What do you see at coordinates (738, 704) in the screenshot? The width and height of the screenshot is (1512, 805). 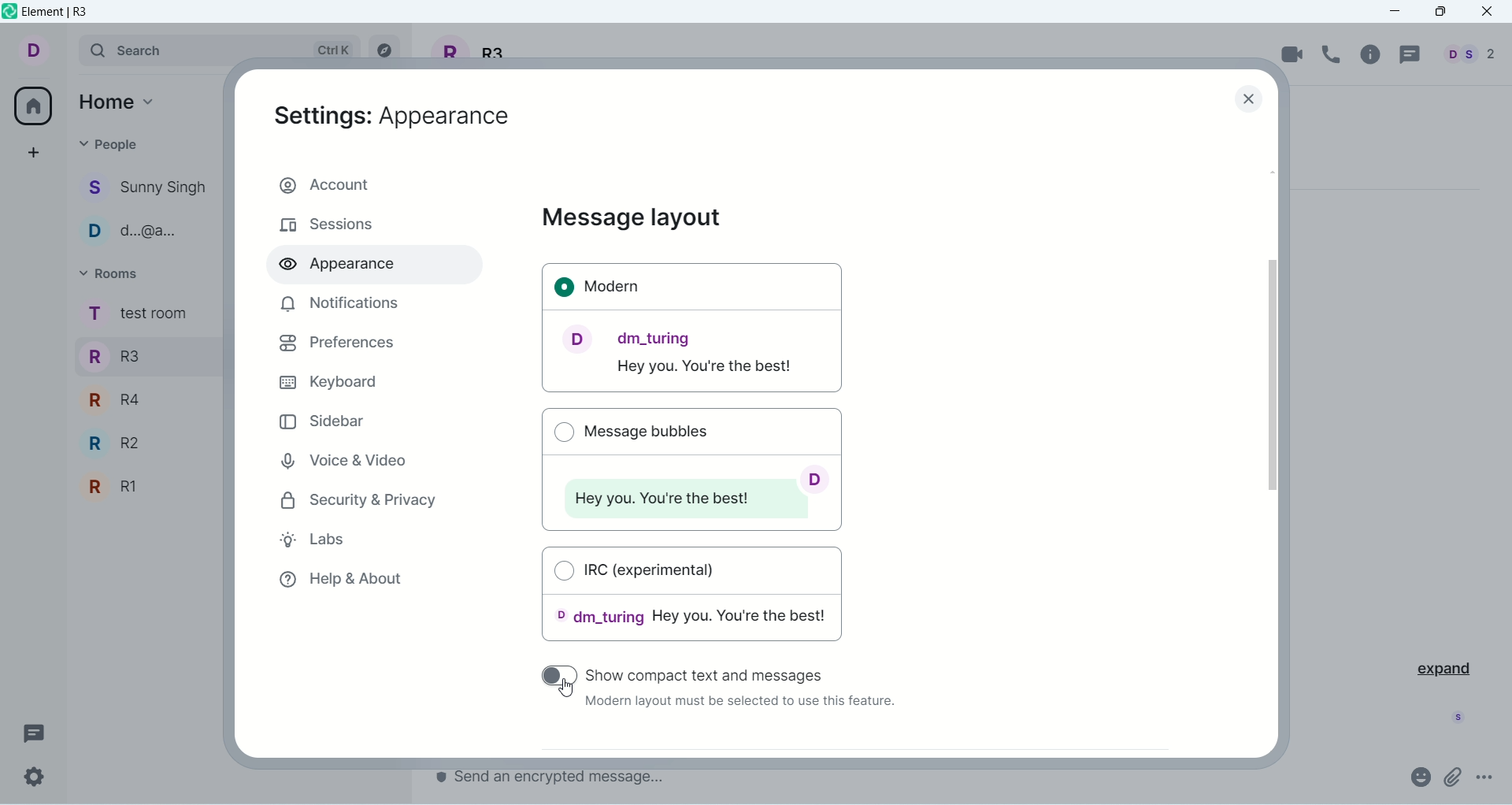 I see `text` at bounding box center [738, 704].